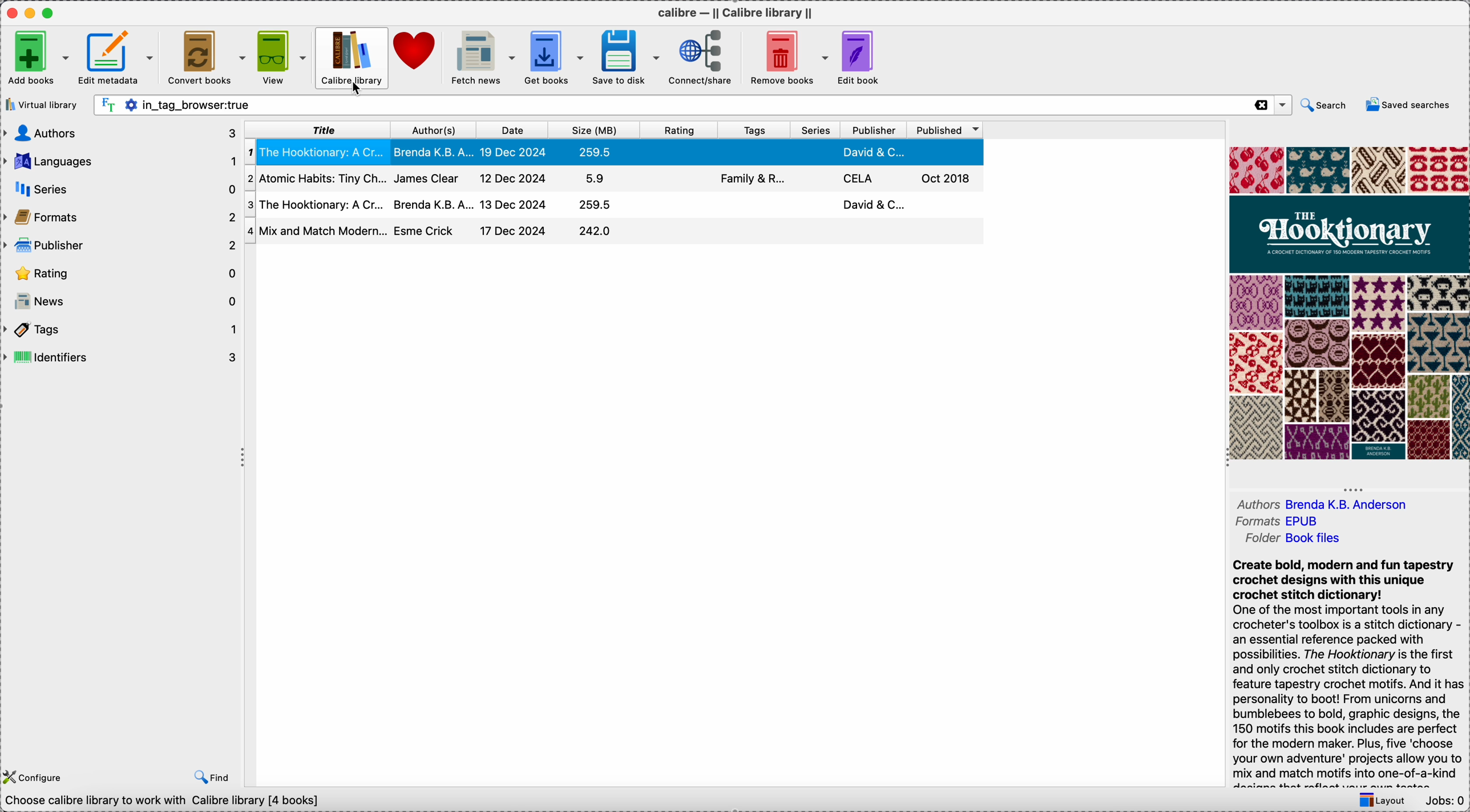 This screenshot has width=1470, height=812. Describe the element at coordinates (431, 130) in the screenshot. I see `author(s)` at that location.